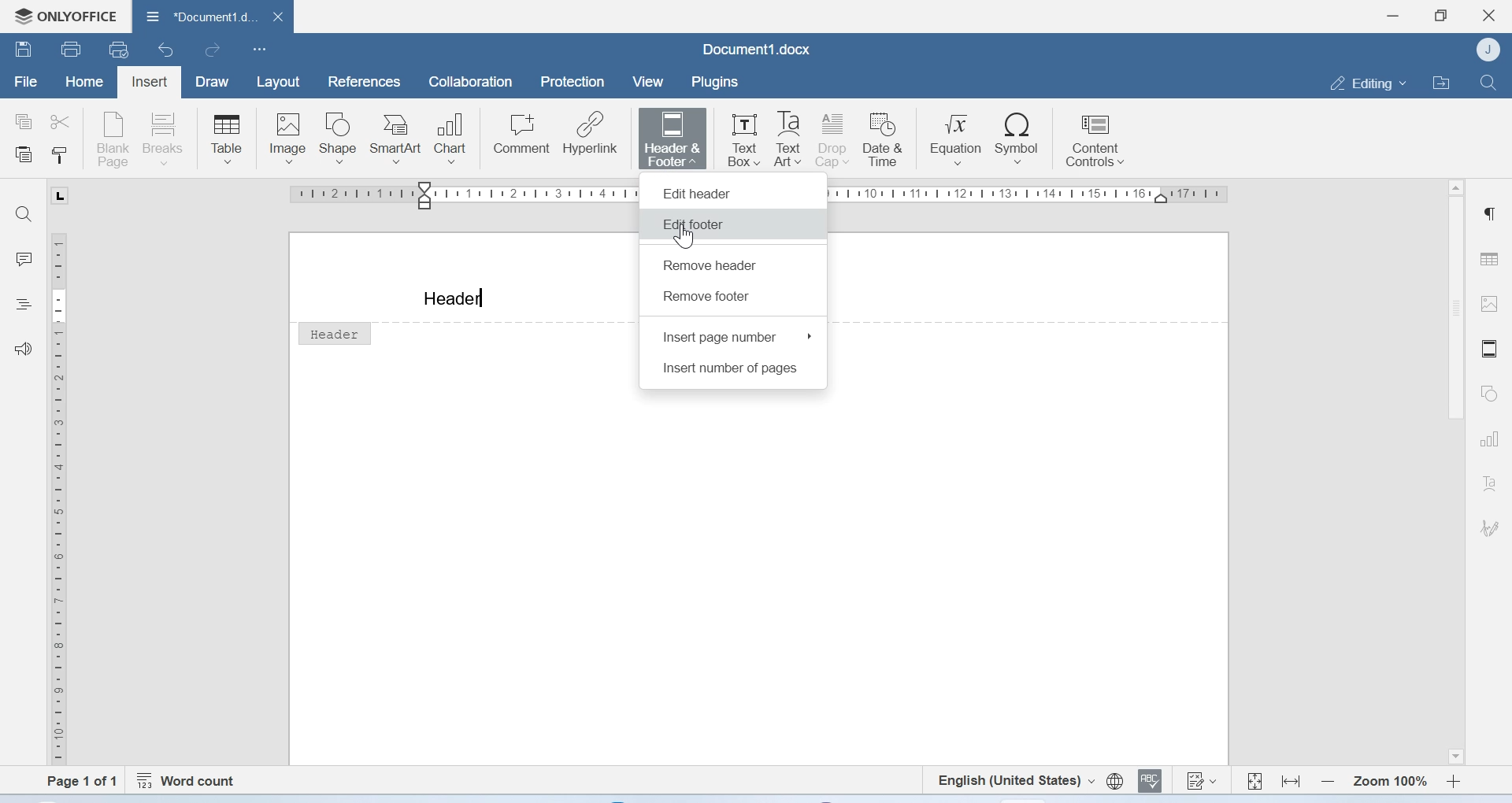  I want to click on Set text language, so click(1016, 780).